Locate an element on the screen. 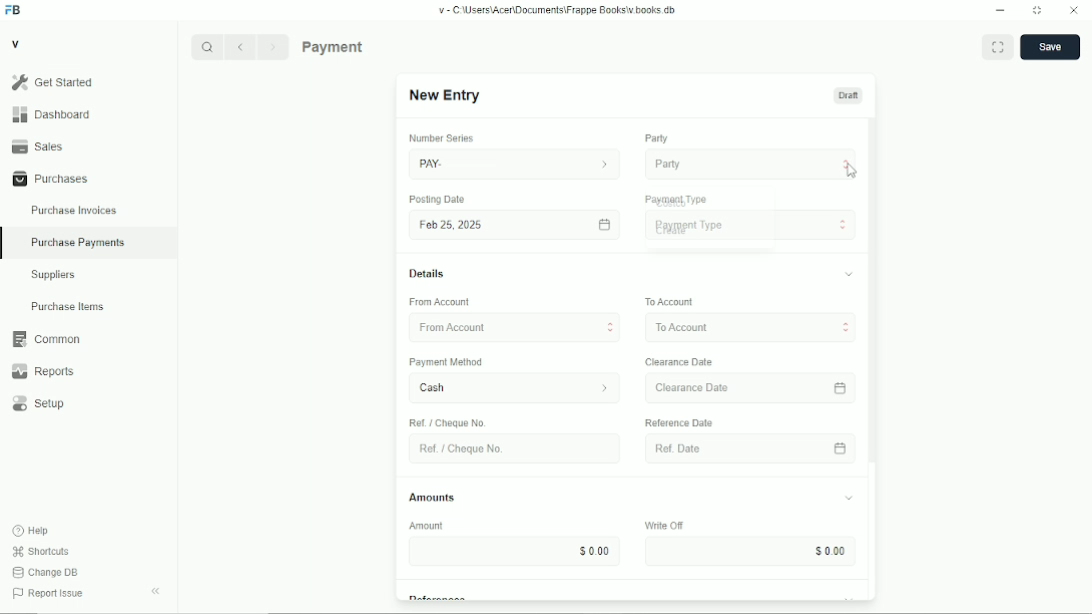  From Account is located at coordinates (508, 325).